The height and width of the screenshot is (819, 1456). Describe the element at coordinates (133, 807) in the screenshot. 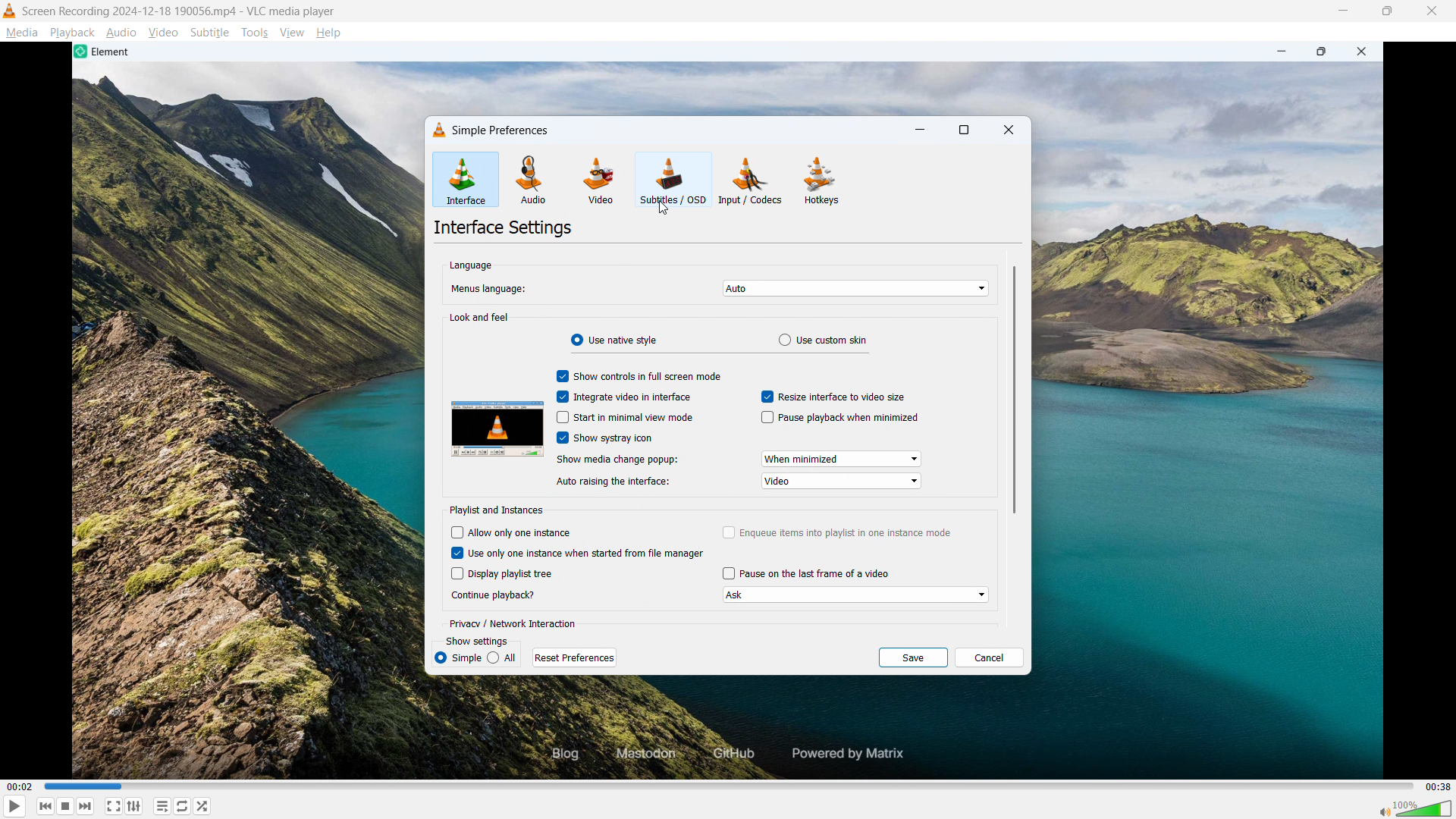

I see `Show advanced settings ` at that location.